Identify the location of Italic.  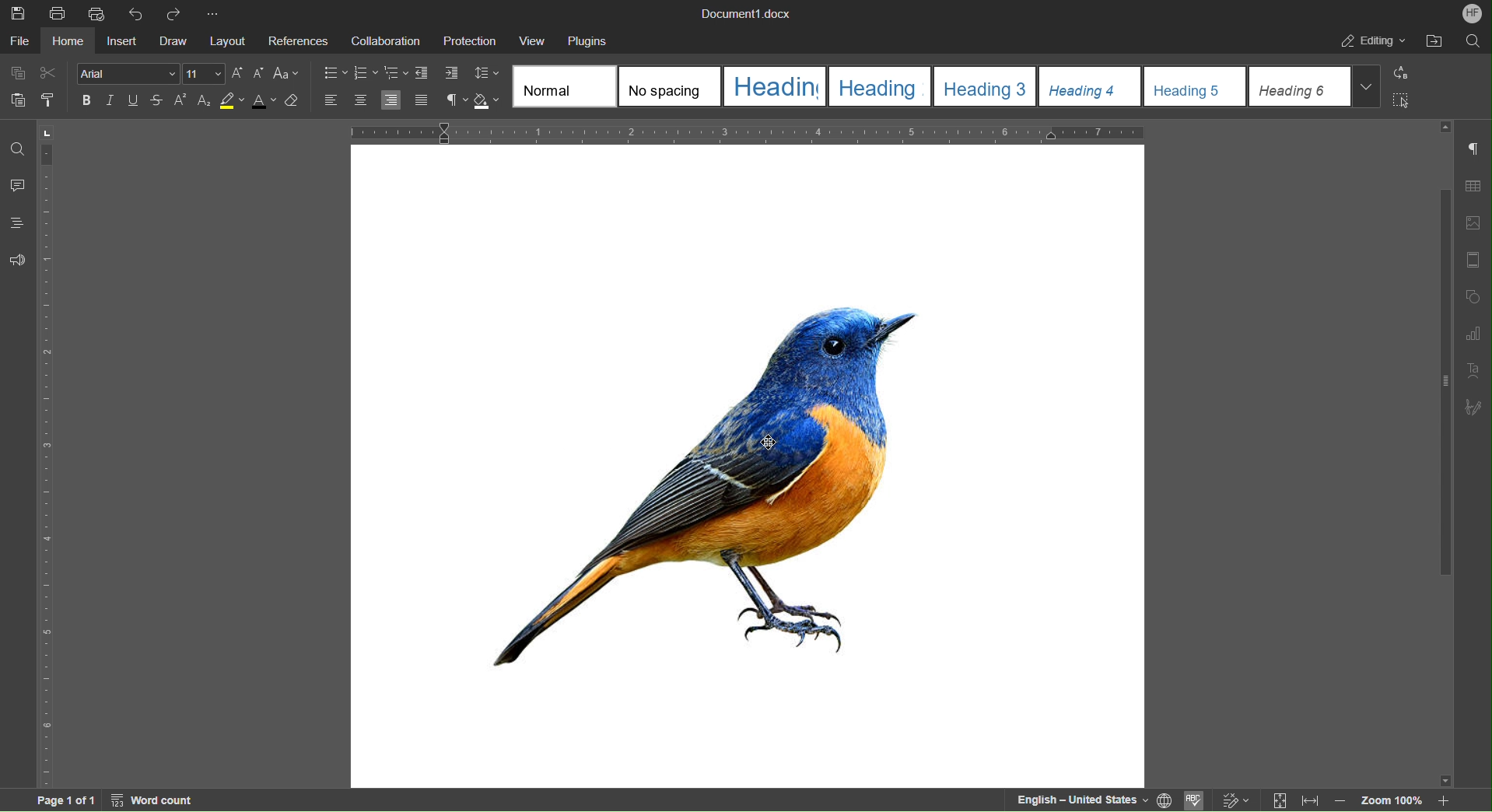
(110, 100).